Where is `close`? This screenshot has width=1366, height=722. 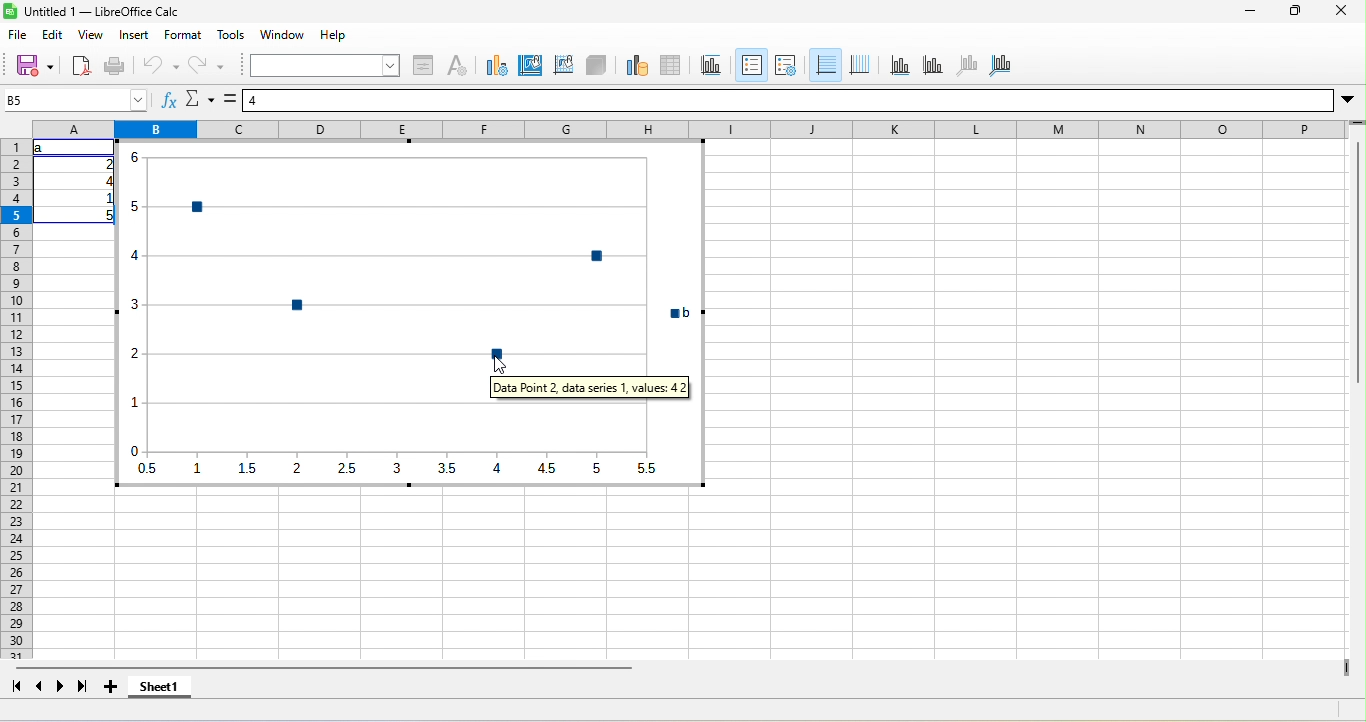 close is located at coordinates (1341, 10).